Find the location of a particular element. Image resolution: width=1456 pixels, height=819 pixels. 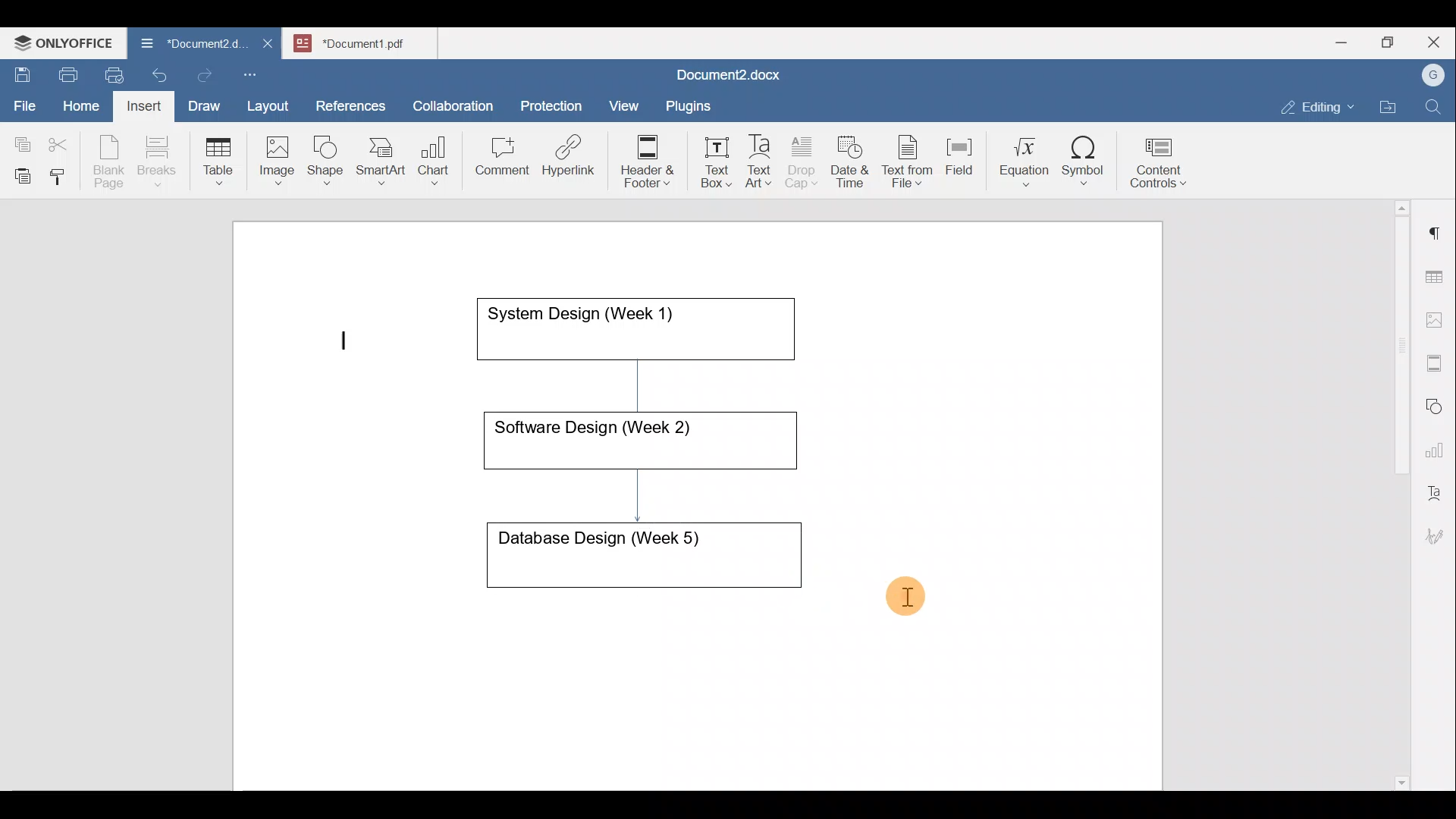

Save is located at coordinates (21, 71).